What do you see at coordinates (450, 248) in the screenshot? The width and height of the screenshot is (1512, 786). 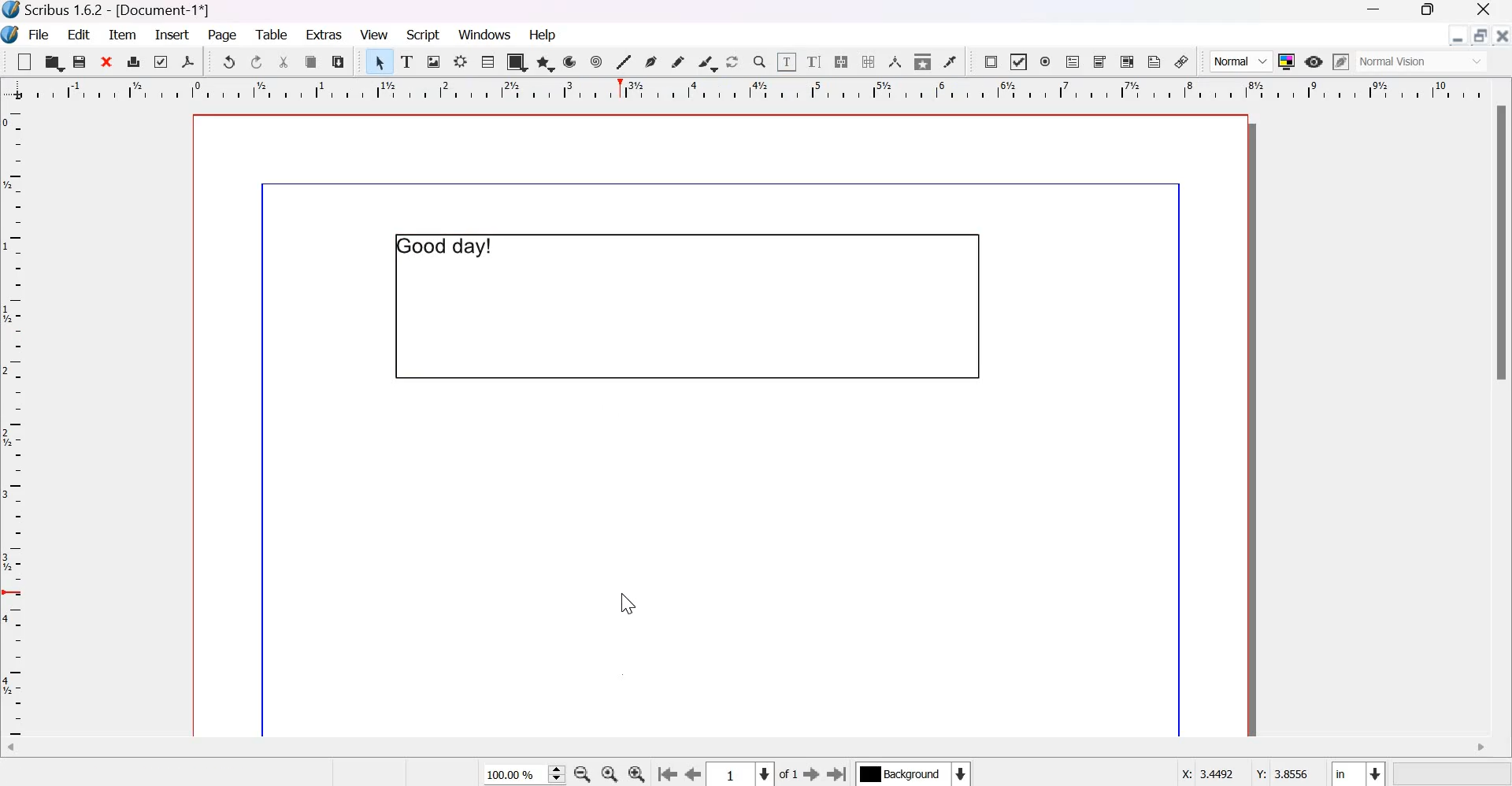 I see `Good day!` at bounding box center [450, 248].